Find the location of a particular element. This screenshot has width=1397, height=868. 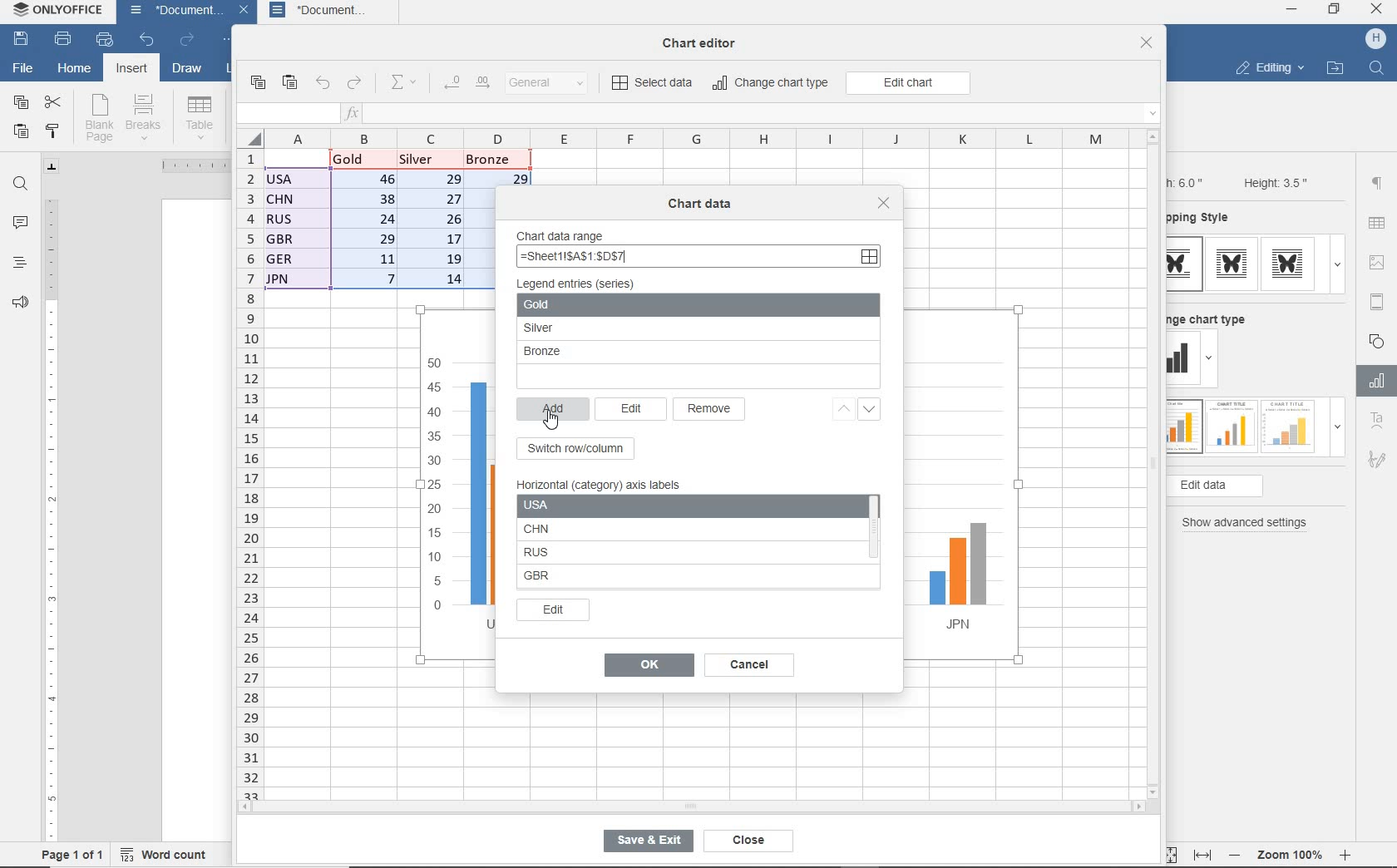

remove is located at coordinates (712, 410).